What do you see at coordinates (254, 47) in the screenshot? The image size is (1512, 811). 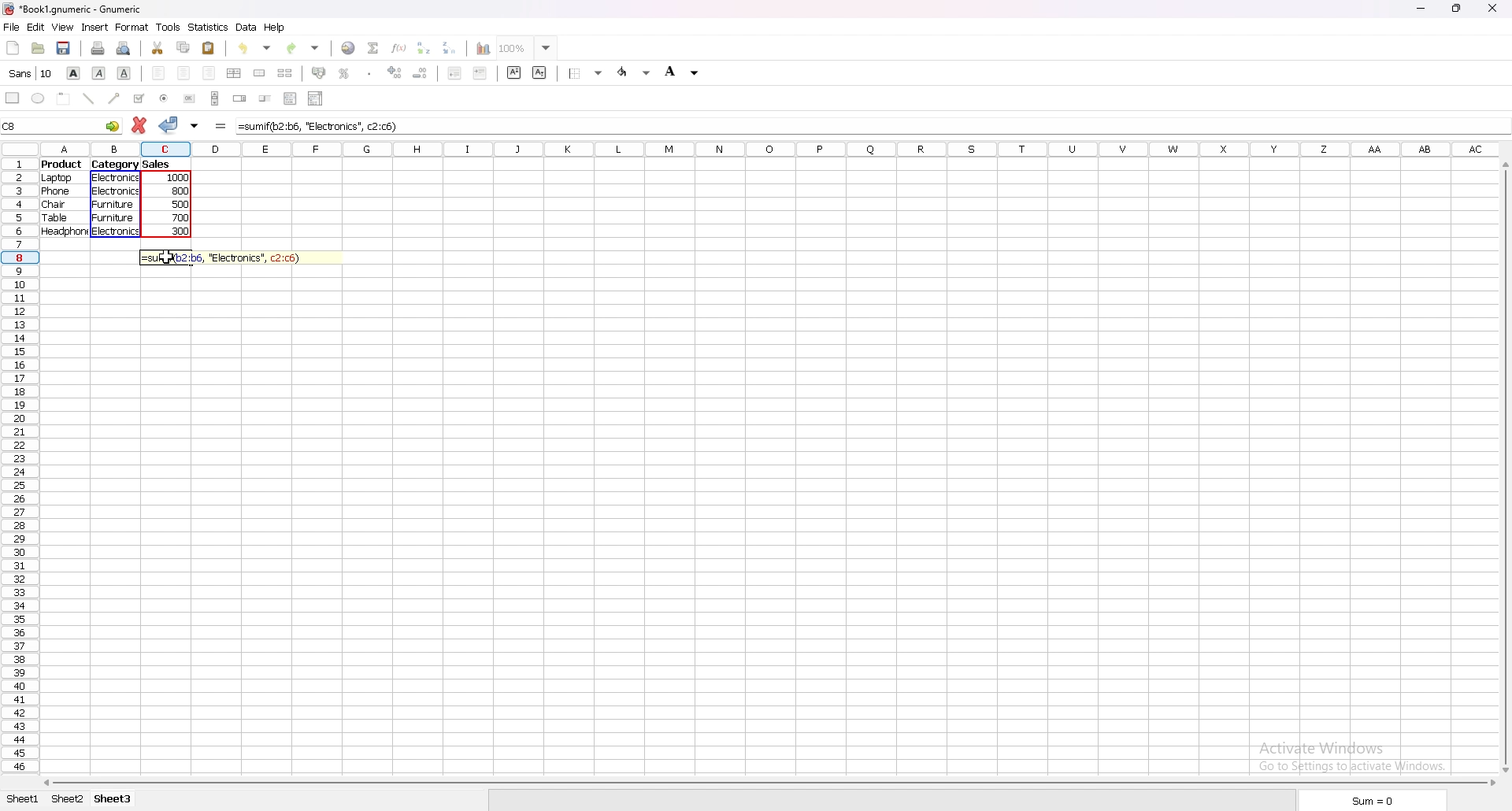 I see `undo` at bounding box center [254, 47].